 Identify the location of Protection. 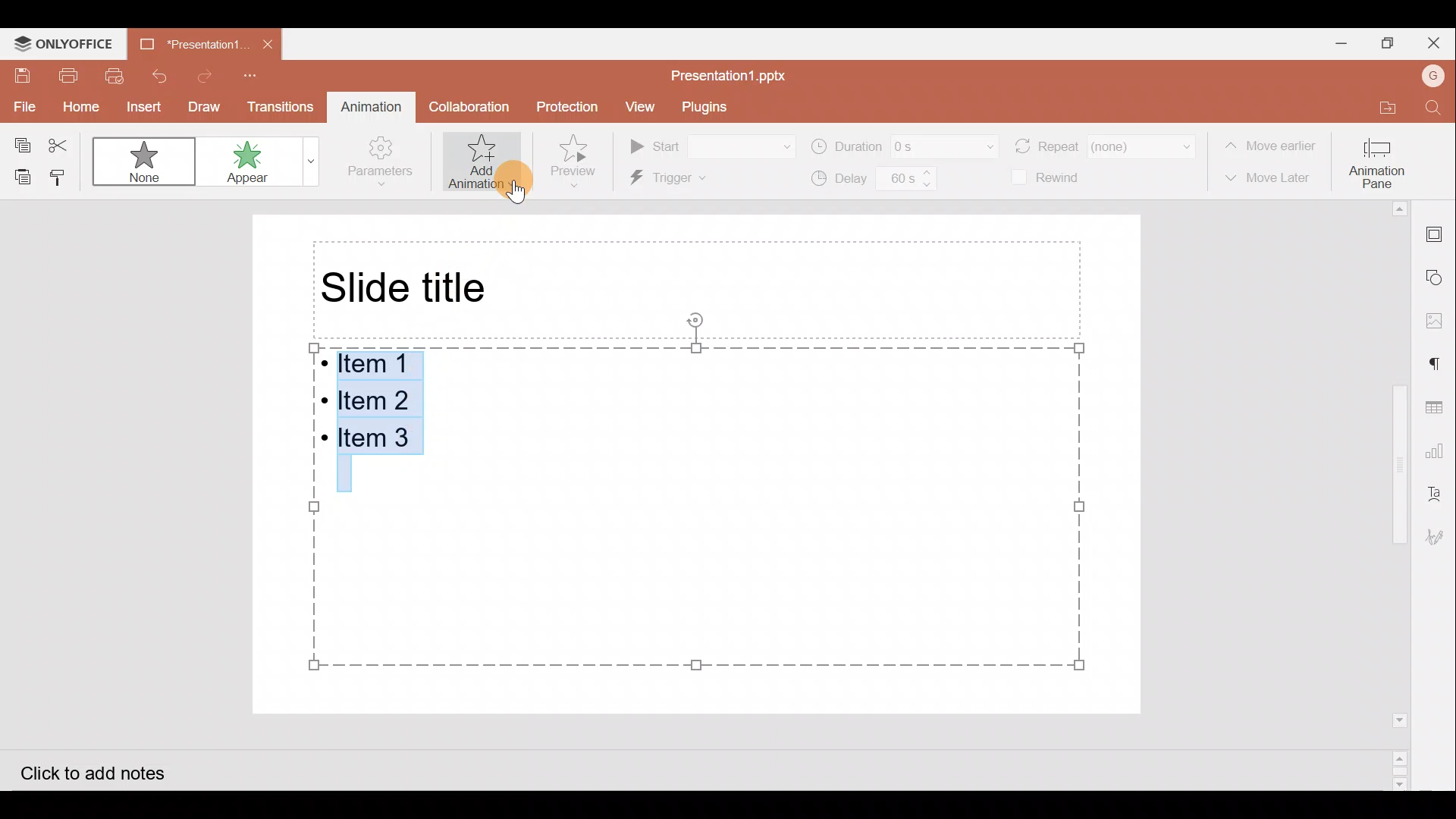
(566, 108).